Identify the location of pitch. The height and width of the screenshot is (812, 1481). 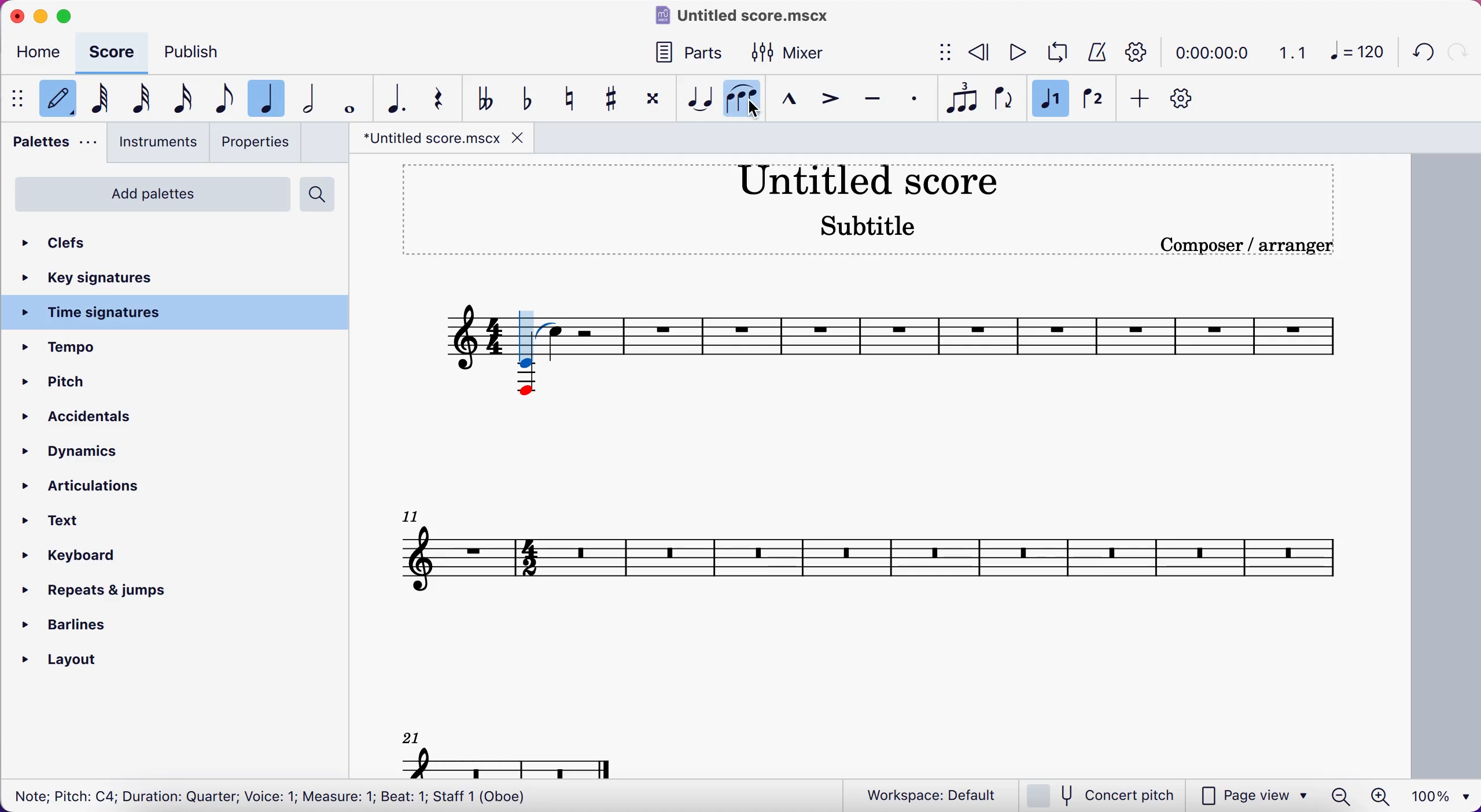
(62, 384).